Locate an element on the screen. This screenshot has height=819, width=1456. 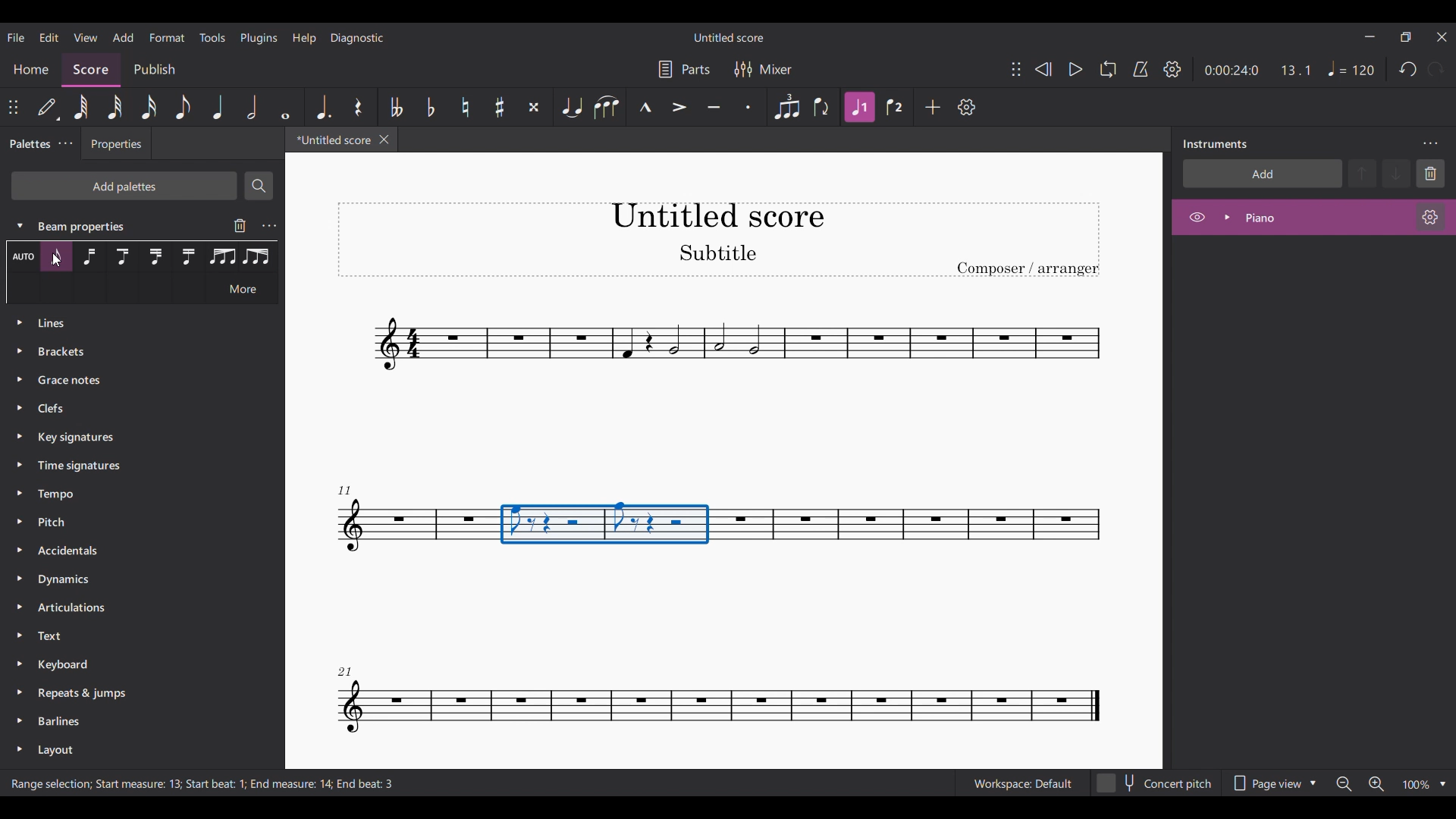
Beams changed for selection is located at coordinates (604, 523).